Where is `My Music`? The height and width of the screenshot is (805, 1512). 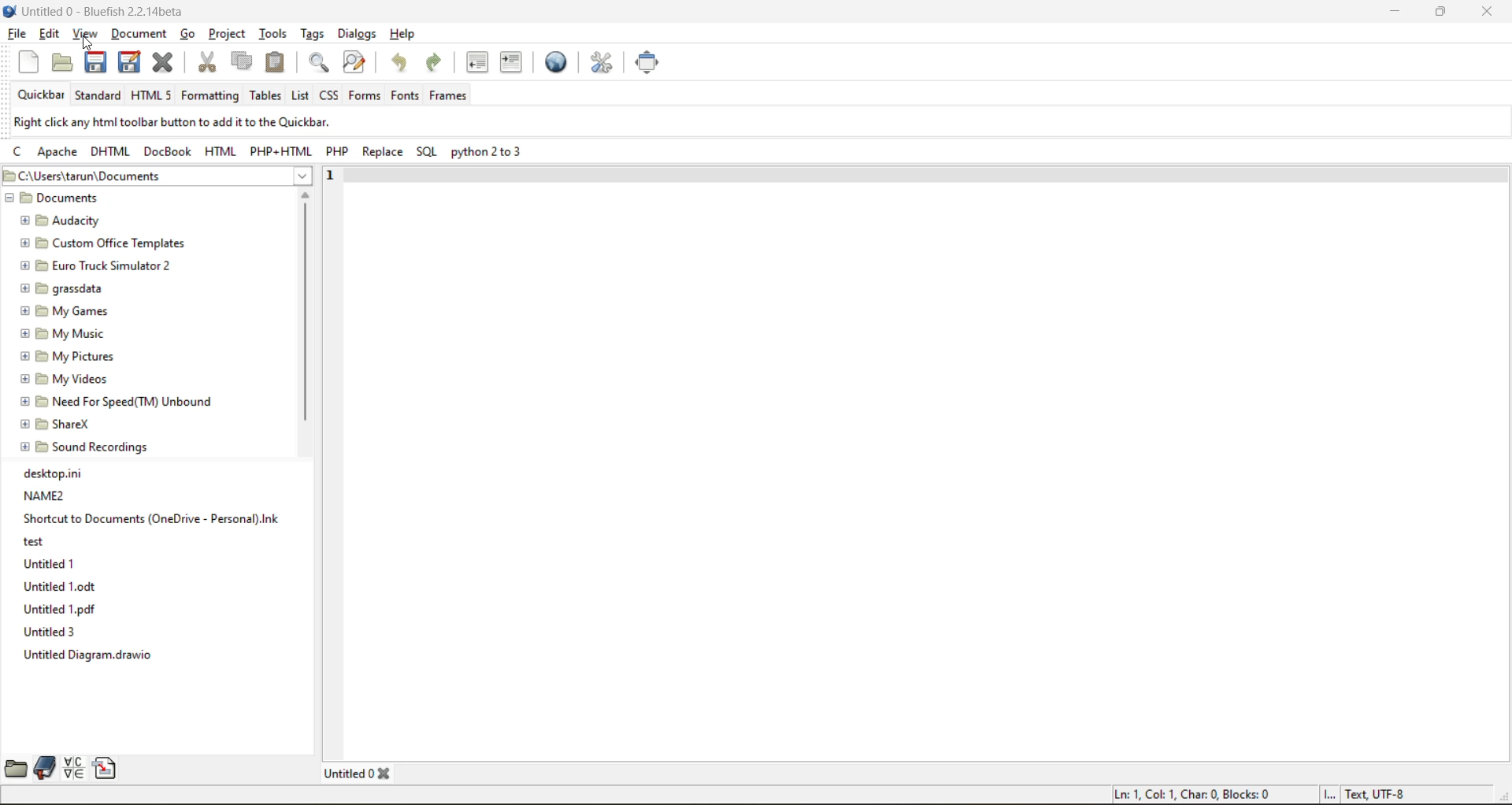 My Music is located at coordinates (60, 334).